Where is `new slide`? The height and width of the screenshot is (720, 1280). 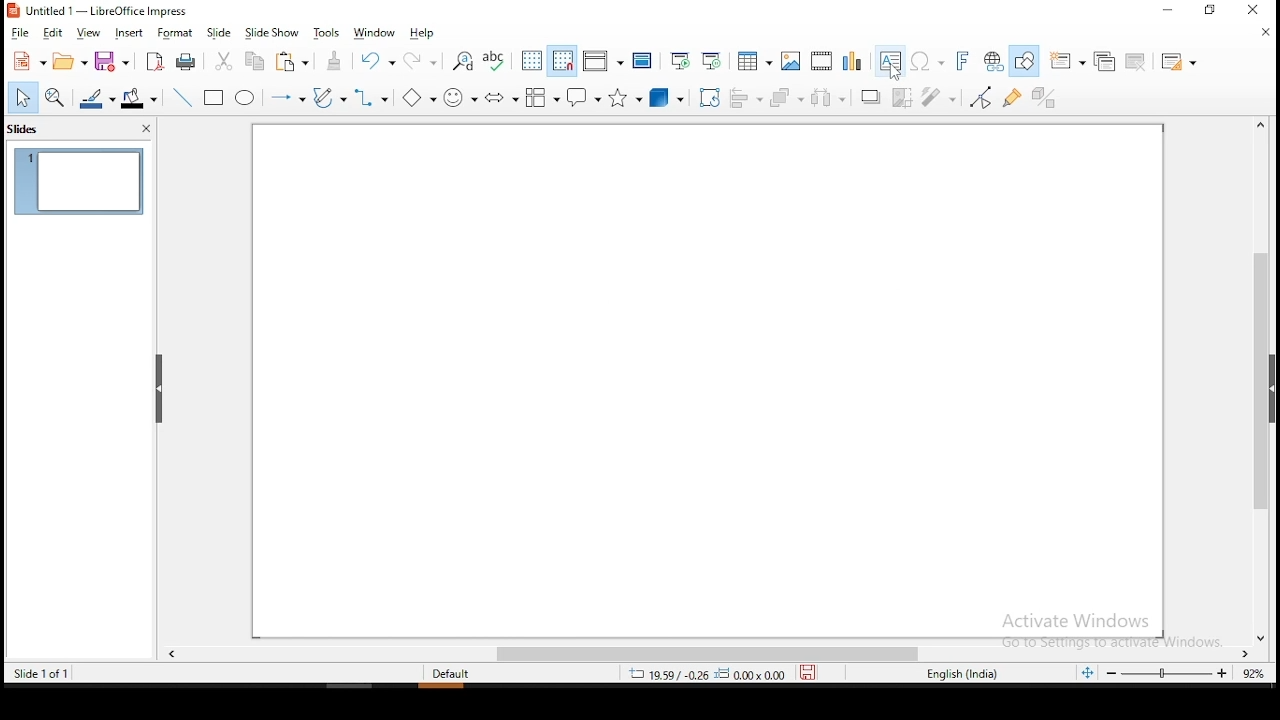 new slide is located at coordinates (1069, 58).